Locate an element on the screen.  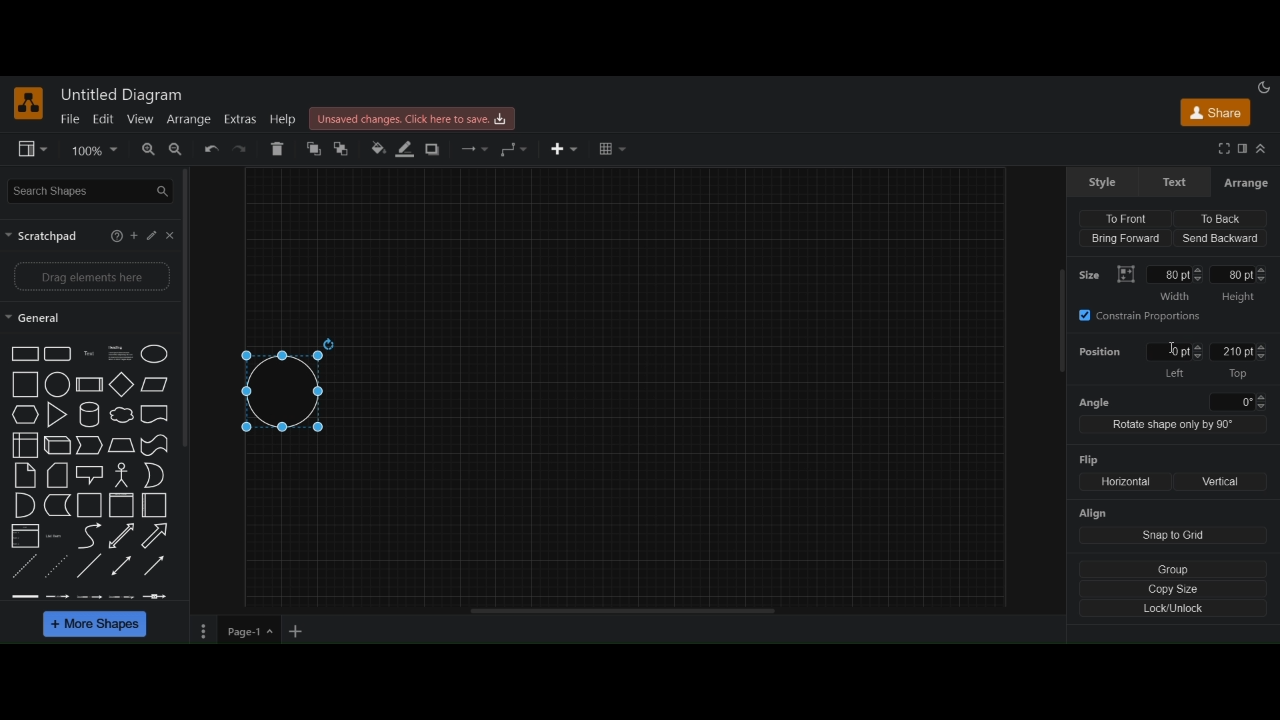
1 side arrow is located at coordinates (154, 564).